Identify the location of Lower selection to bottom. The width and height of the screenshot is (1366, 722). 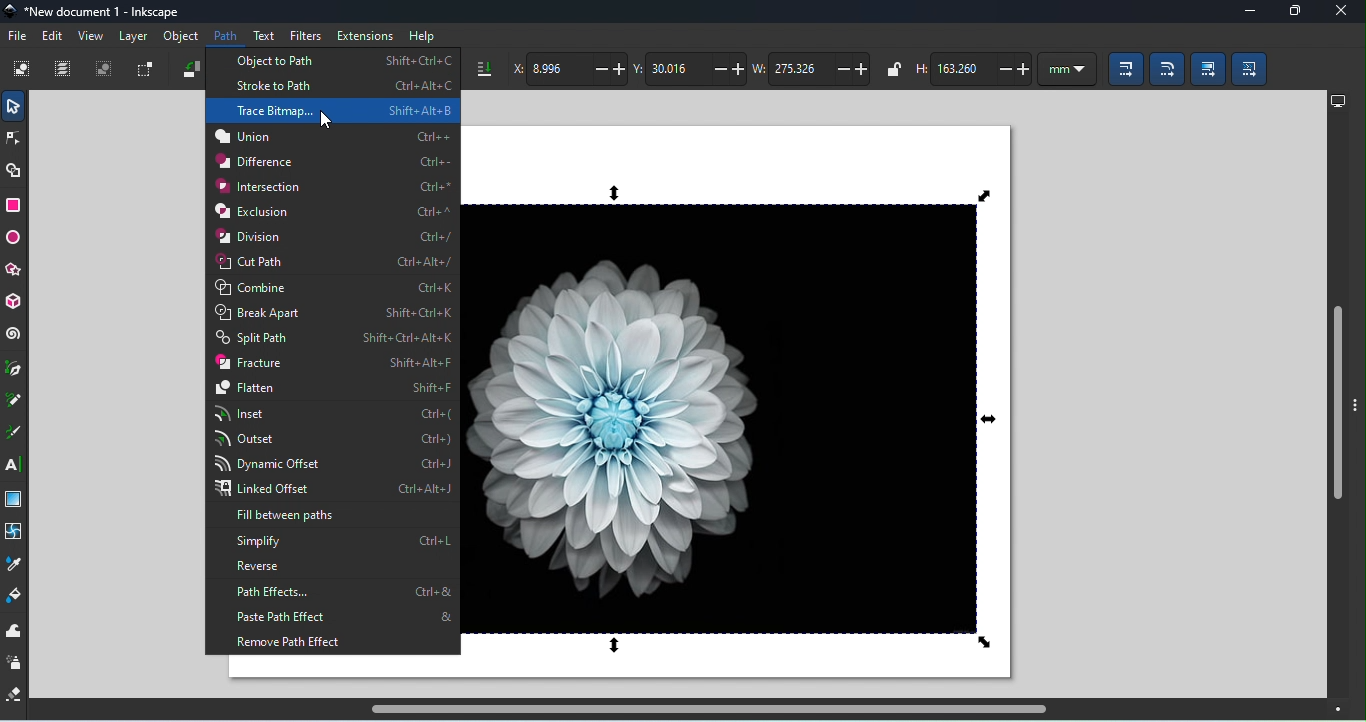
(484, 66).